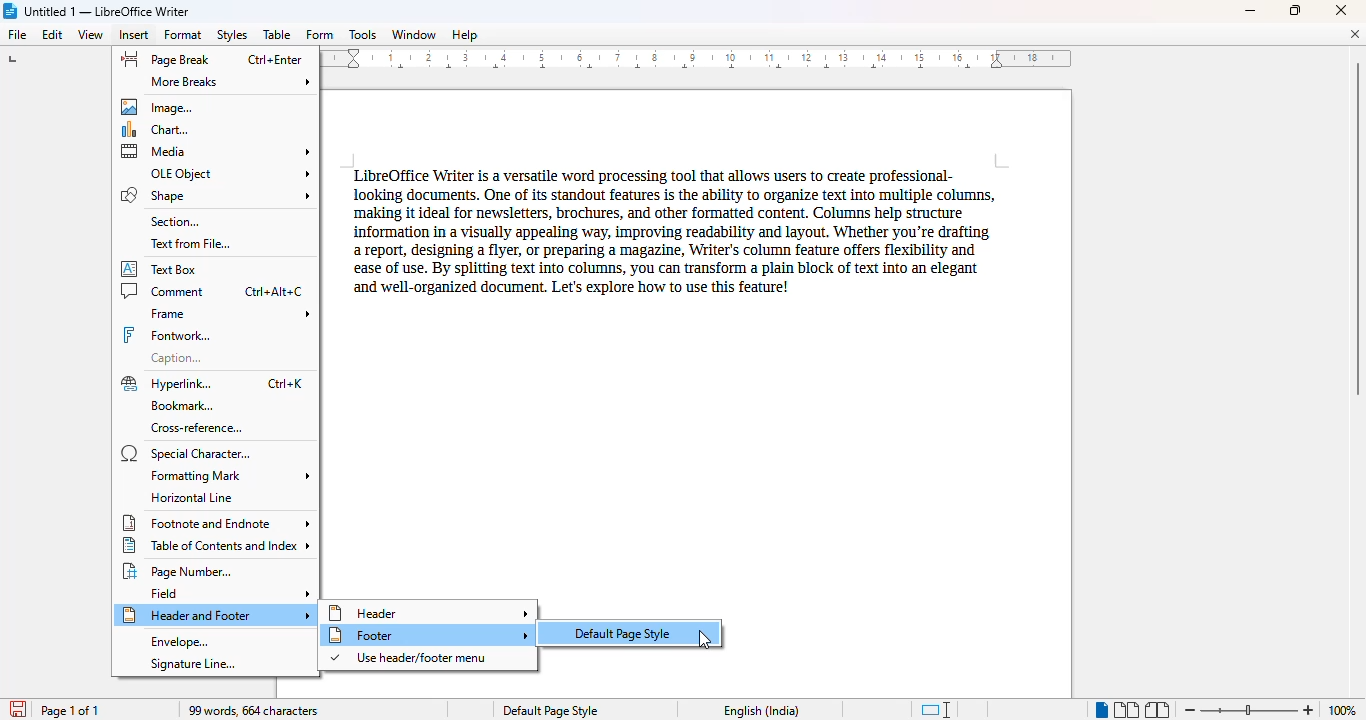 This screenshot has height=720, width=1366. What do you see at coordinates (161, 106) in the screenshot?
I see `image` at bounding box center [161, 106].